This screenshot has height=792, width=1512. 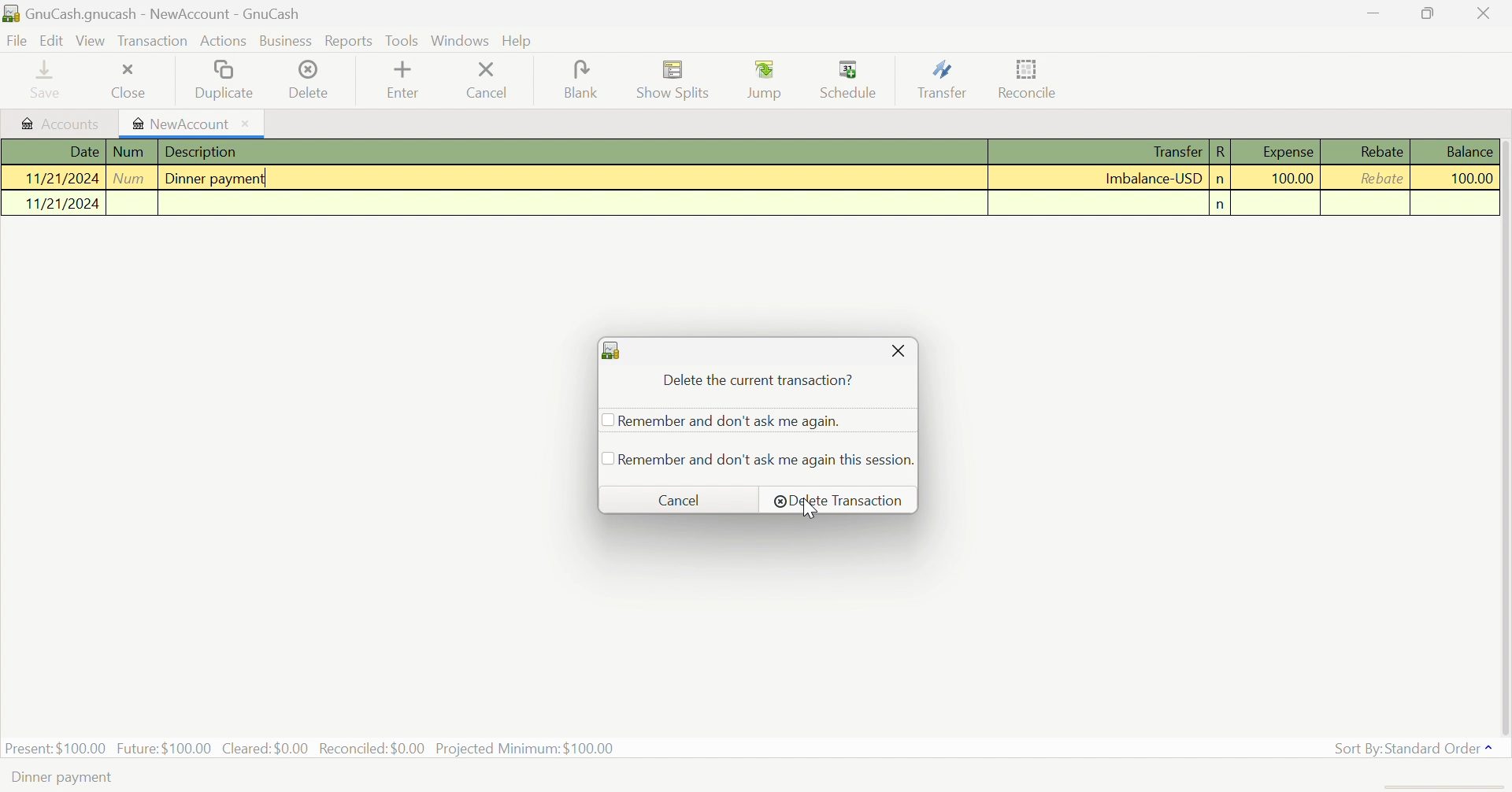 I want to click on save, so click(x=50, y=80).